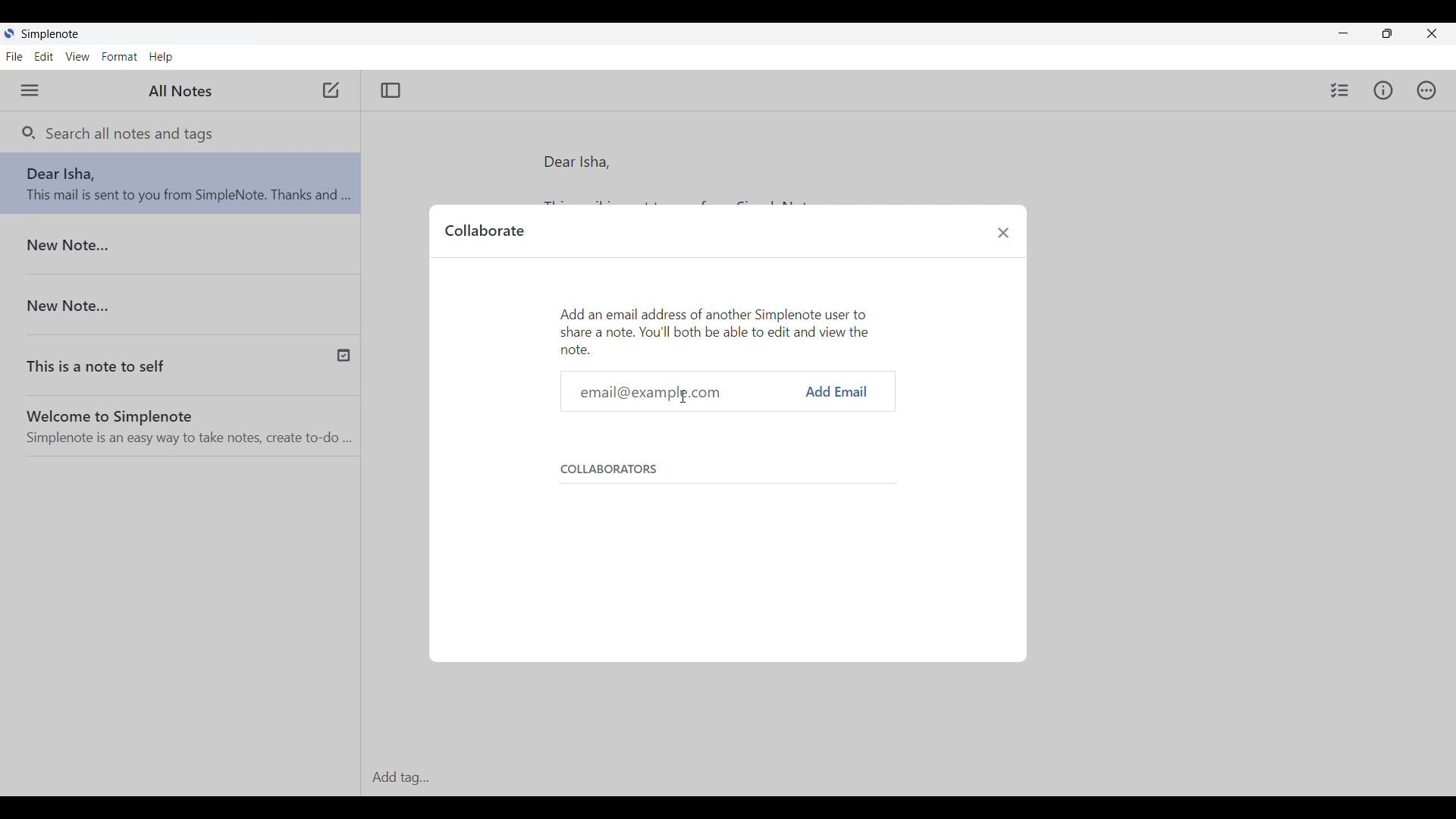  I want to click on Insert checklist, so click(1340, 89).